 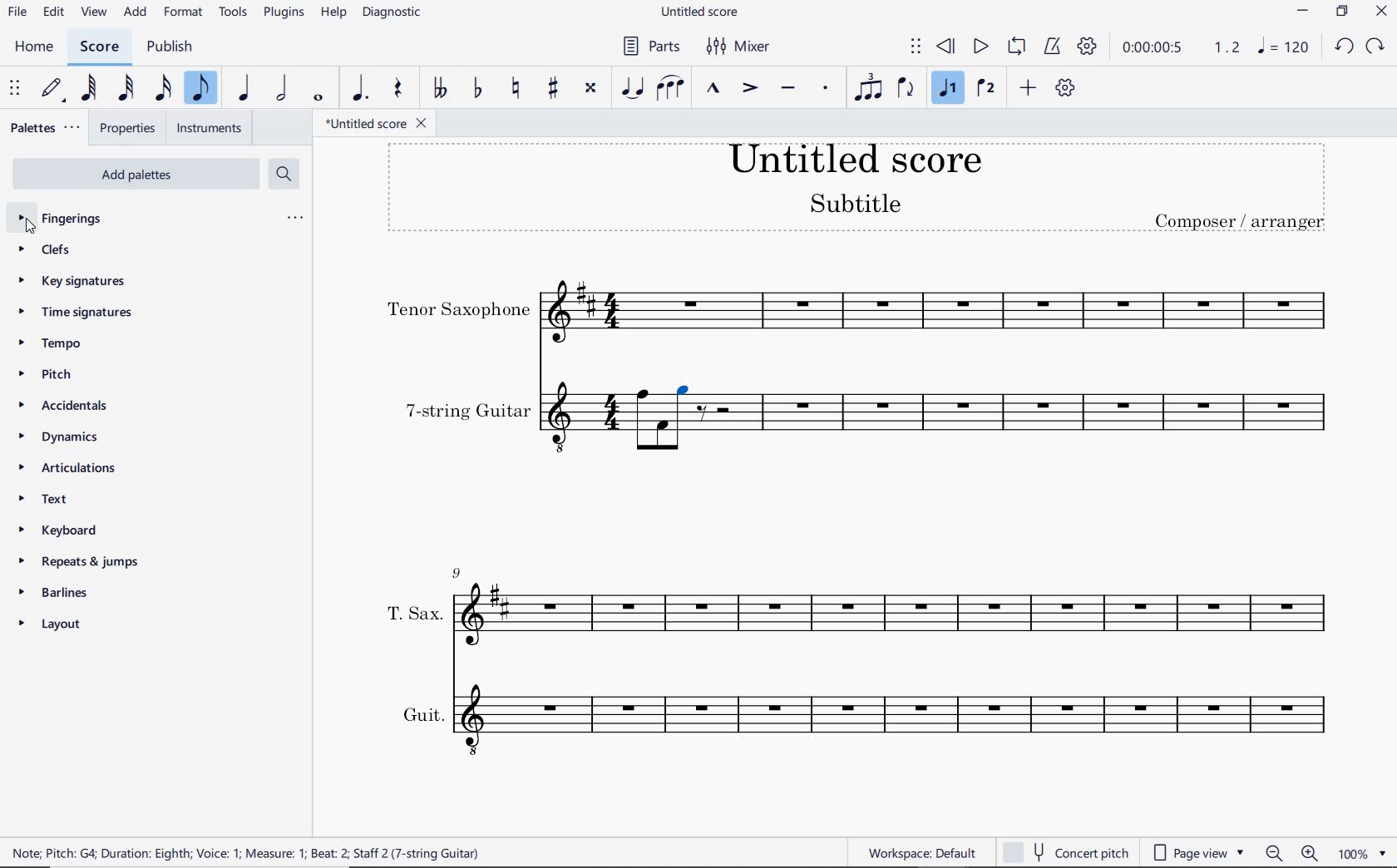 What do you see at coordinates (251, 852) in the screenshot?
I see `score description` at bounding box center [251, 852].